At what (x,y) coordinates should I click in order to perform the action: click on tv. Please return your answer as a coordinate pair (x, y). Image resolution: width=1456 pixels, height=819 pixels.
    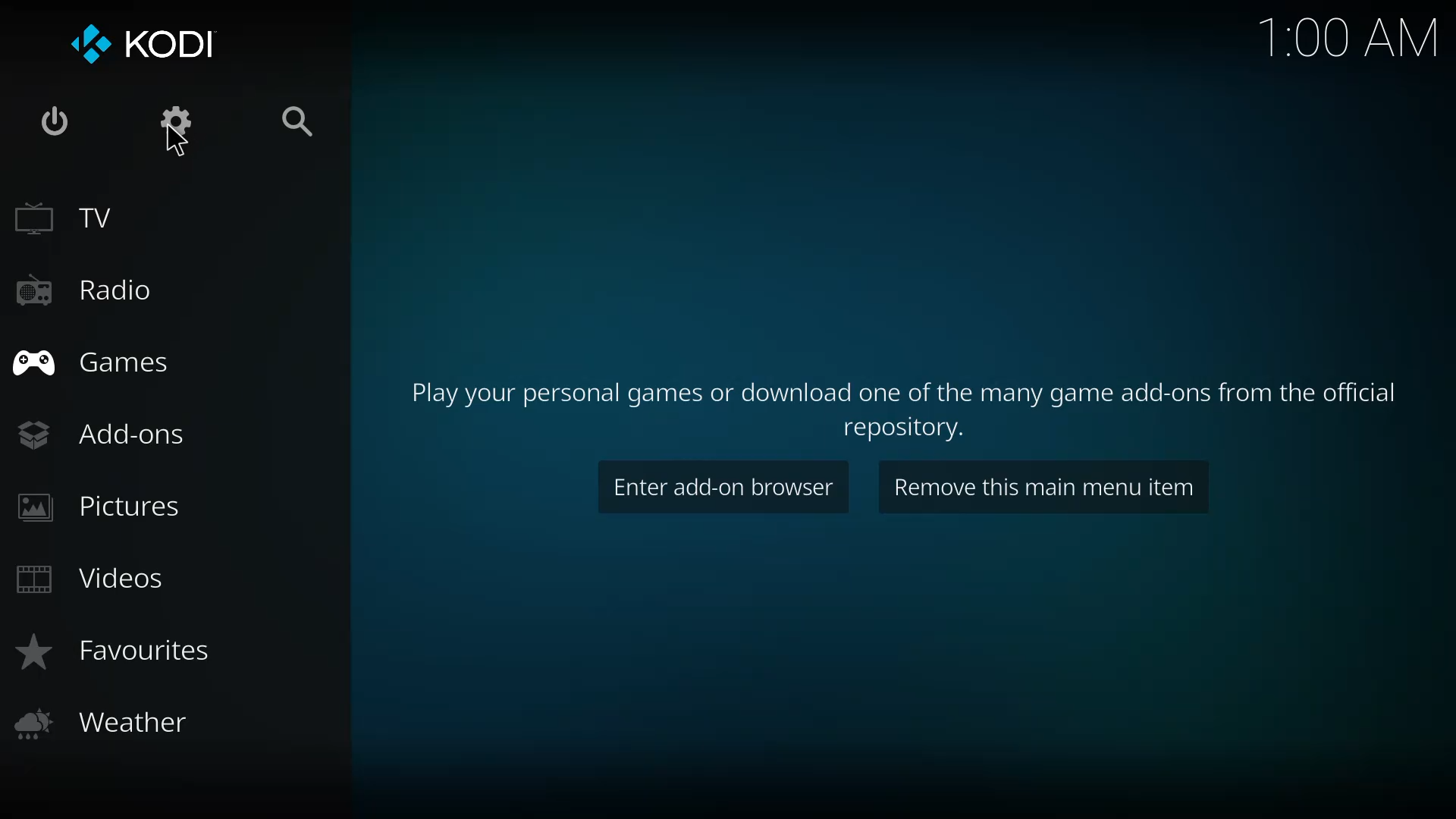
    Looking at the image, I should click on (67, 219).